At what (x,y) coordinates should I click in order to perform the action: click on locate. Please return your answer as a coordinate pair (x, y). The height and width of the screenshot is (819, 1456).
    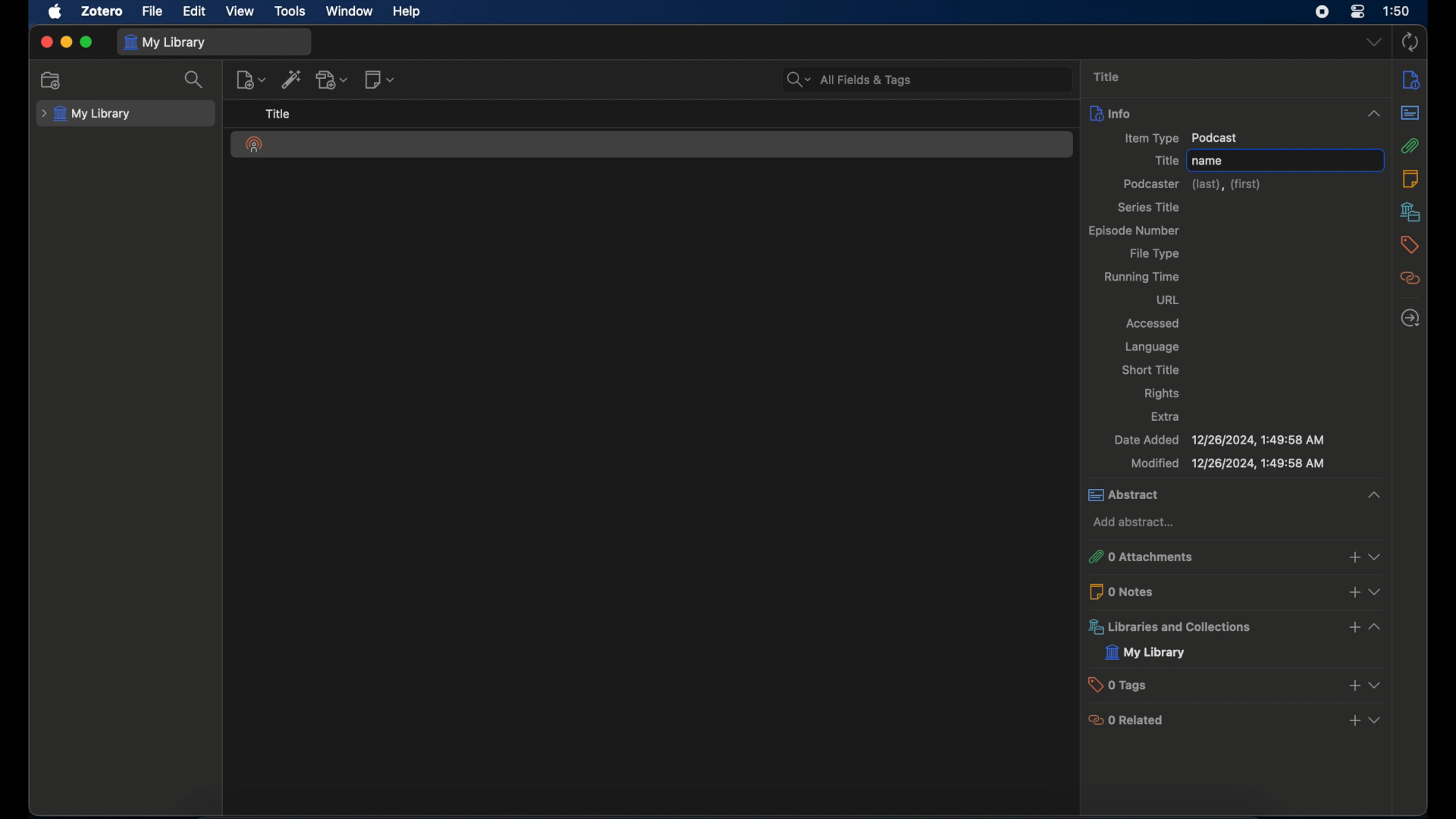
    Looking at the image, I should click on (1410, 319).